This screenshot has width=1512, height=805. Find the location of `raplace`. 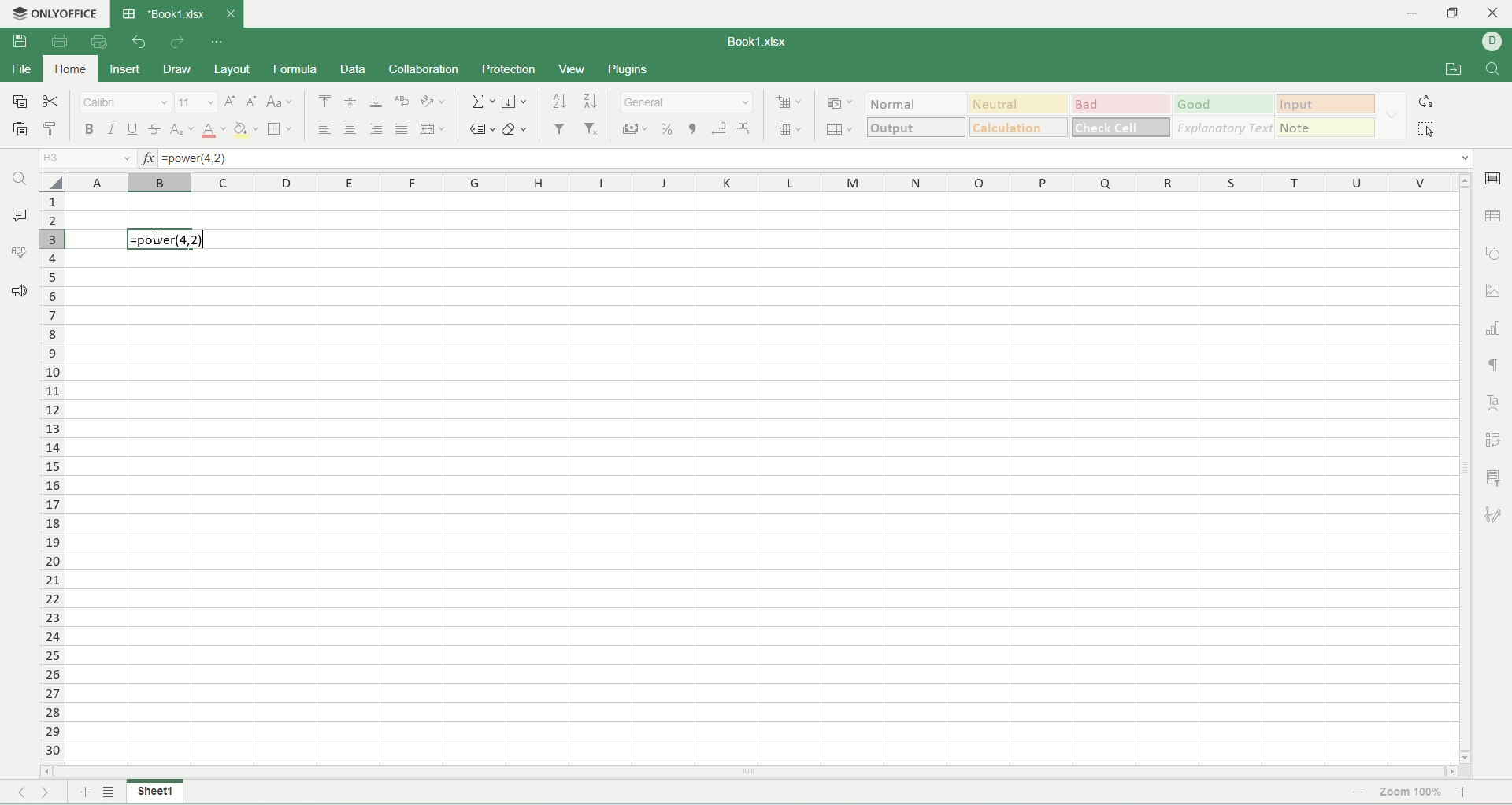

raplace is located at coordinates (1429, 101).